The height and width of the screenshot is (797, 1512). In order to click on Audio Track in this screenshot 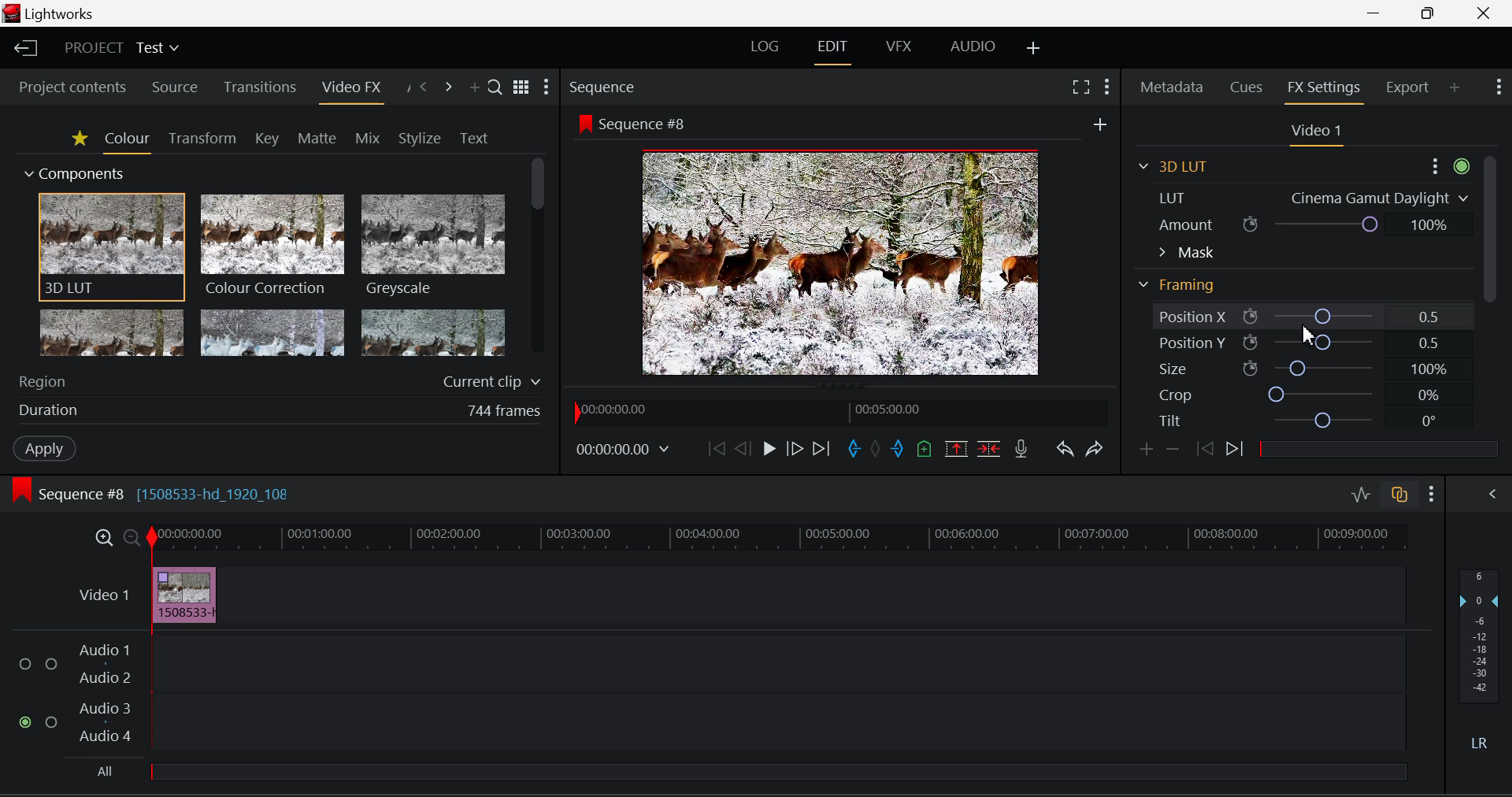, I will do `click(779, 720)`.